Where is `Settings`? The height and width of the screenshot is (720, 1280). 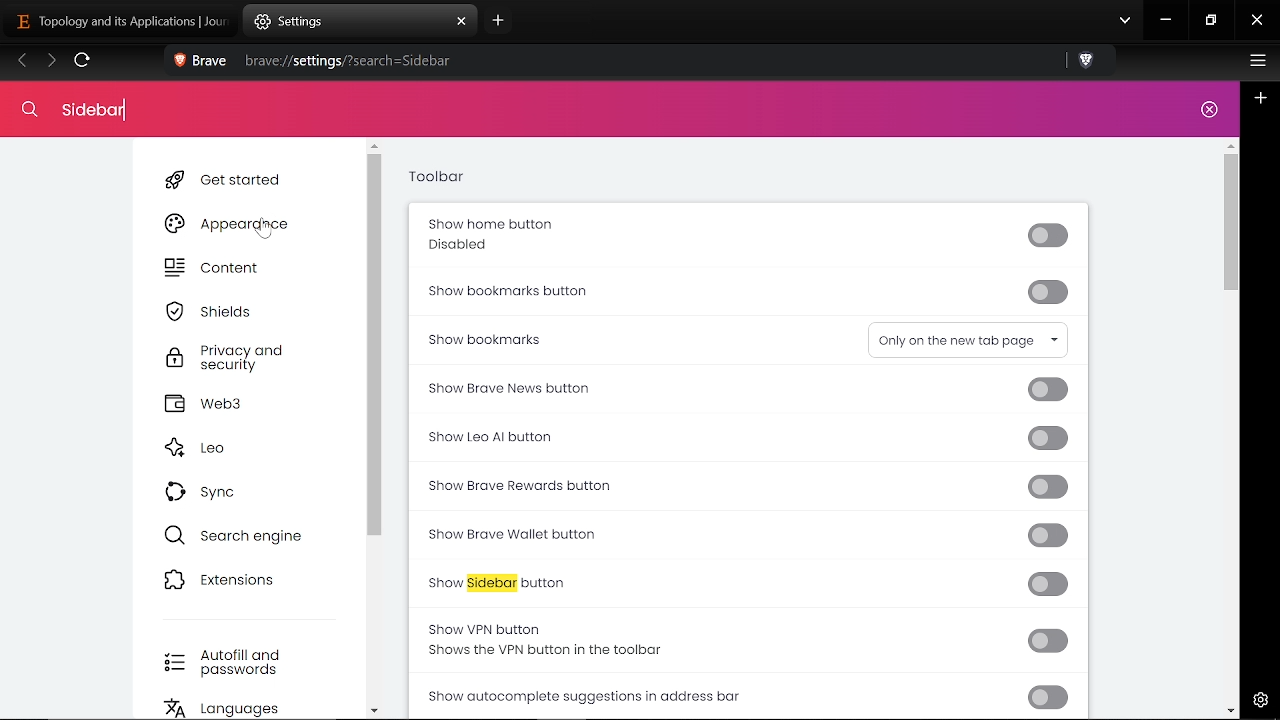
Settings is located at coordinates (1257, 699).